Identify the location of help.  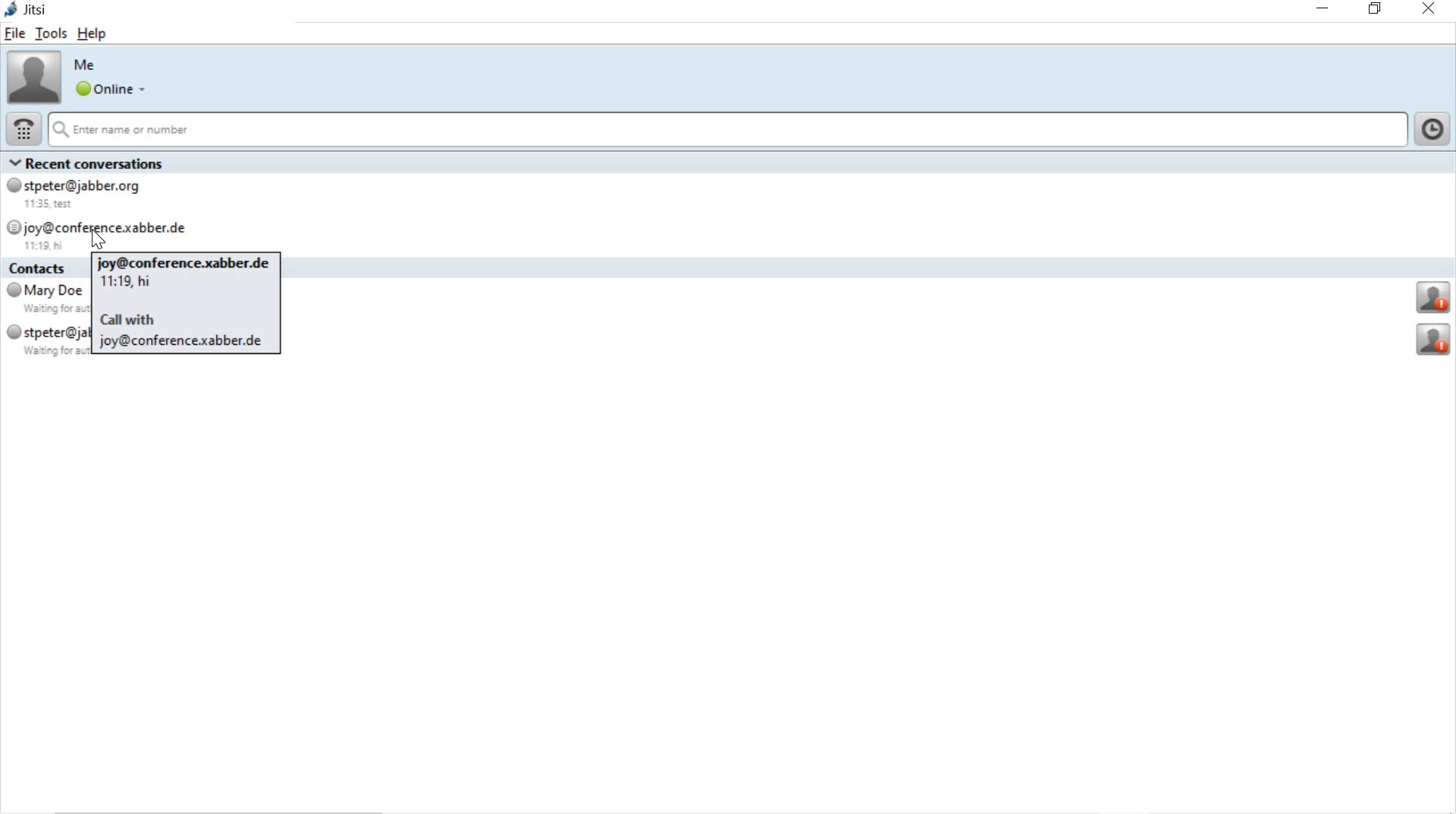
(92, 36).